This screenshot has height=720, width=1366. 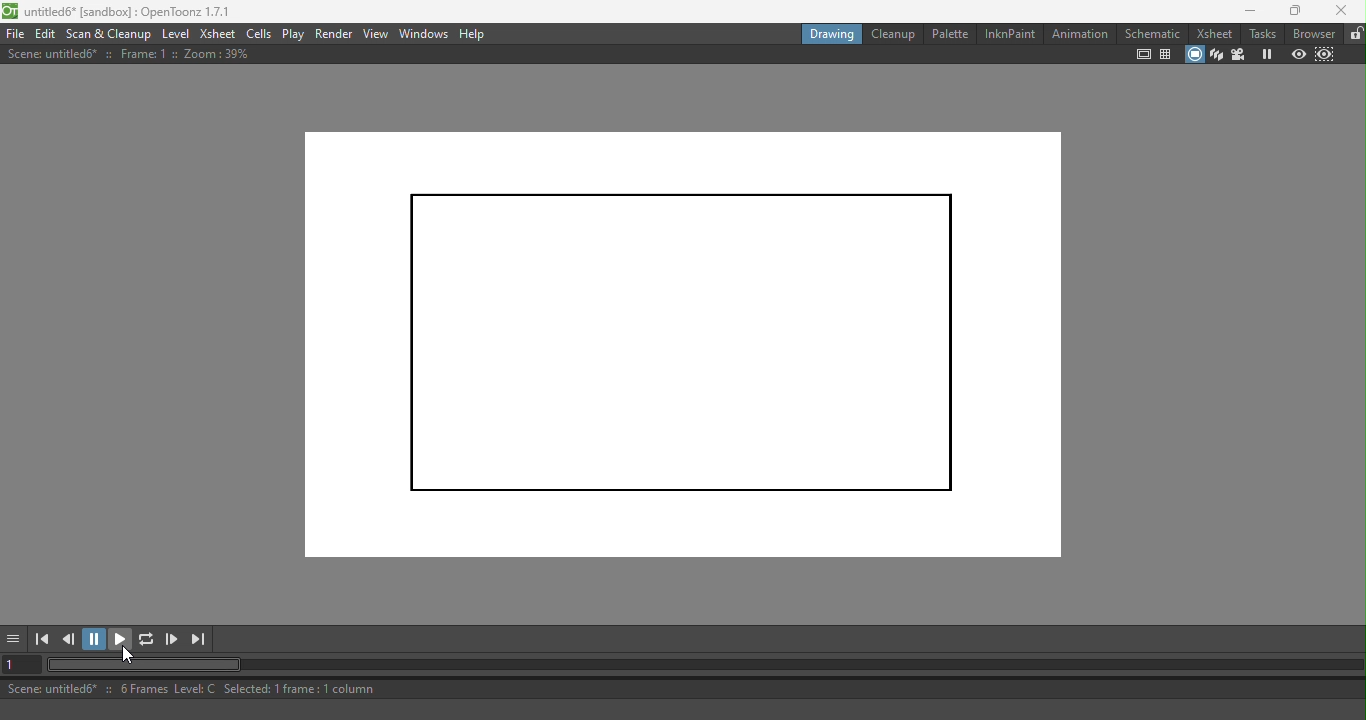 I want to click on Sub-camera preview, so click(x=1327, y=55).